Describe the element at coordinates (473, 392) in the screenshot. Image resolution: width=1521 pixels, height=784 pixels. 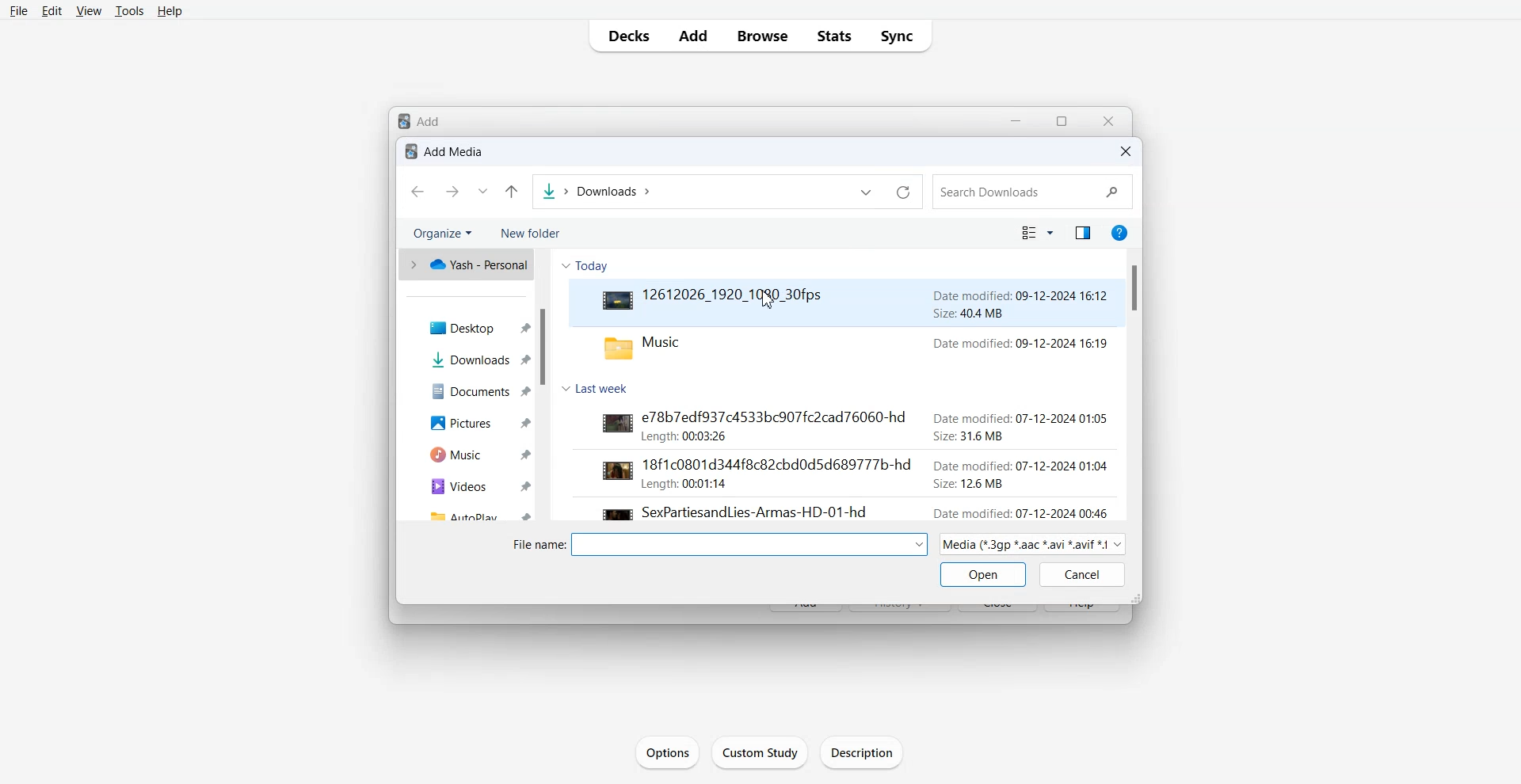
I see `Documents` at that location.